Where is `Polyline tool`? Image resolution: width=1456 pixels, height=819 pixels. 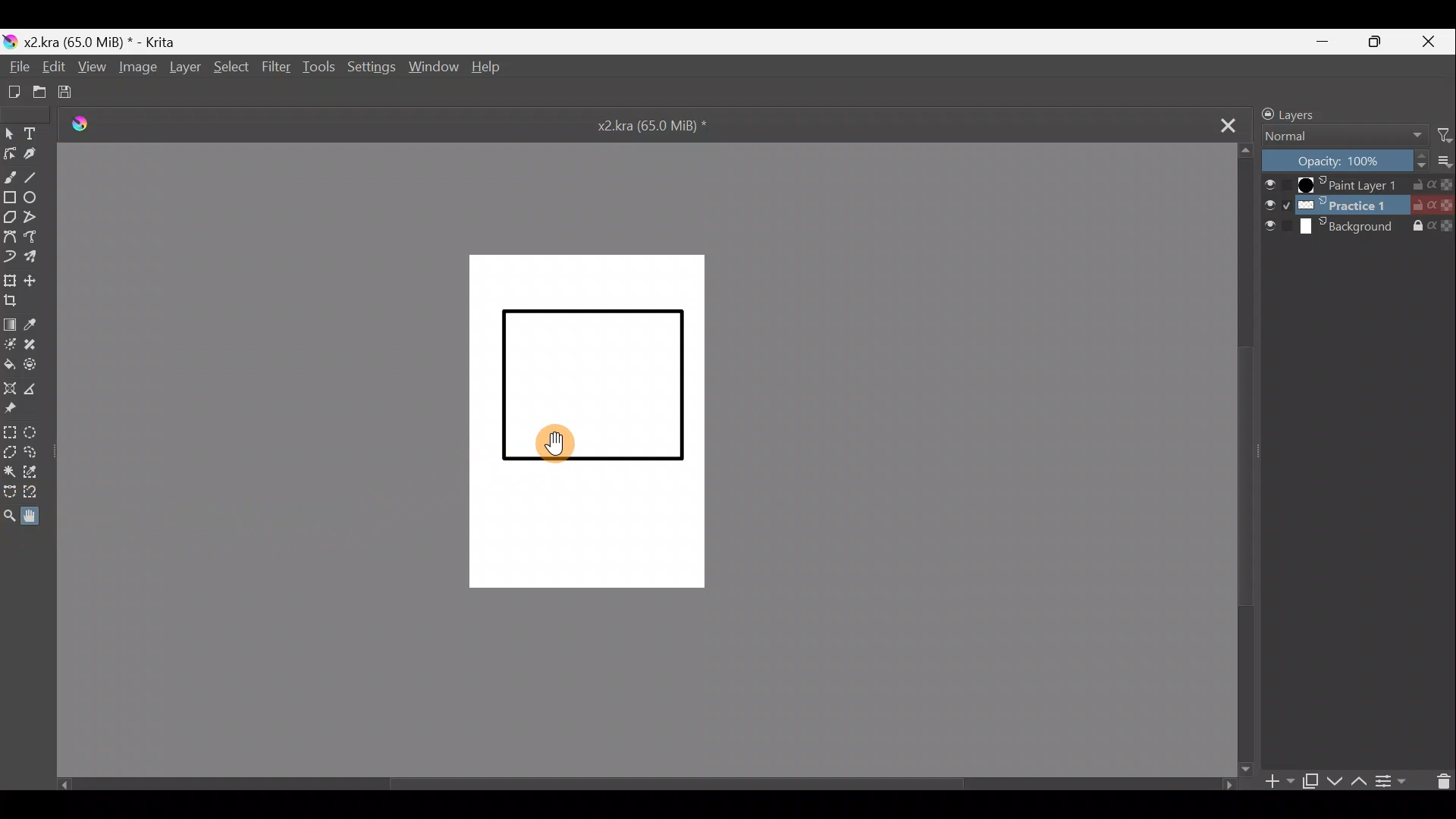 Polyline tool is located at coordinates (36, 218).